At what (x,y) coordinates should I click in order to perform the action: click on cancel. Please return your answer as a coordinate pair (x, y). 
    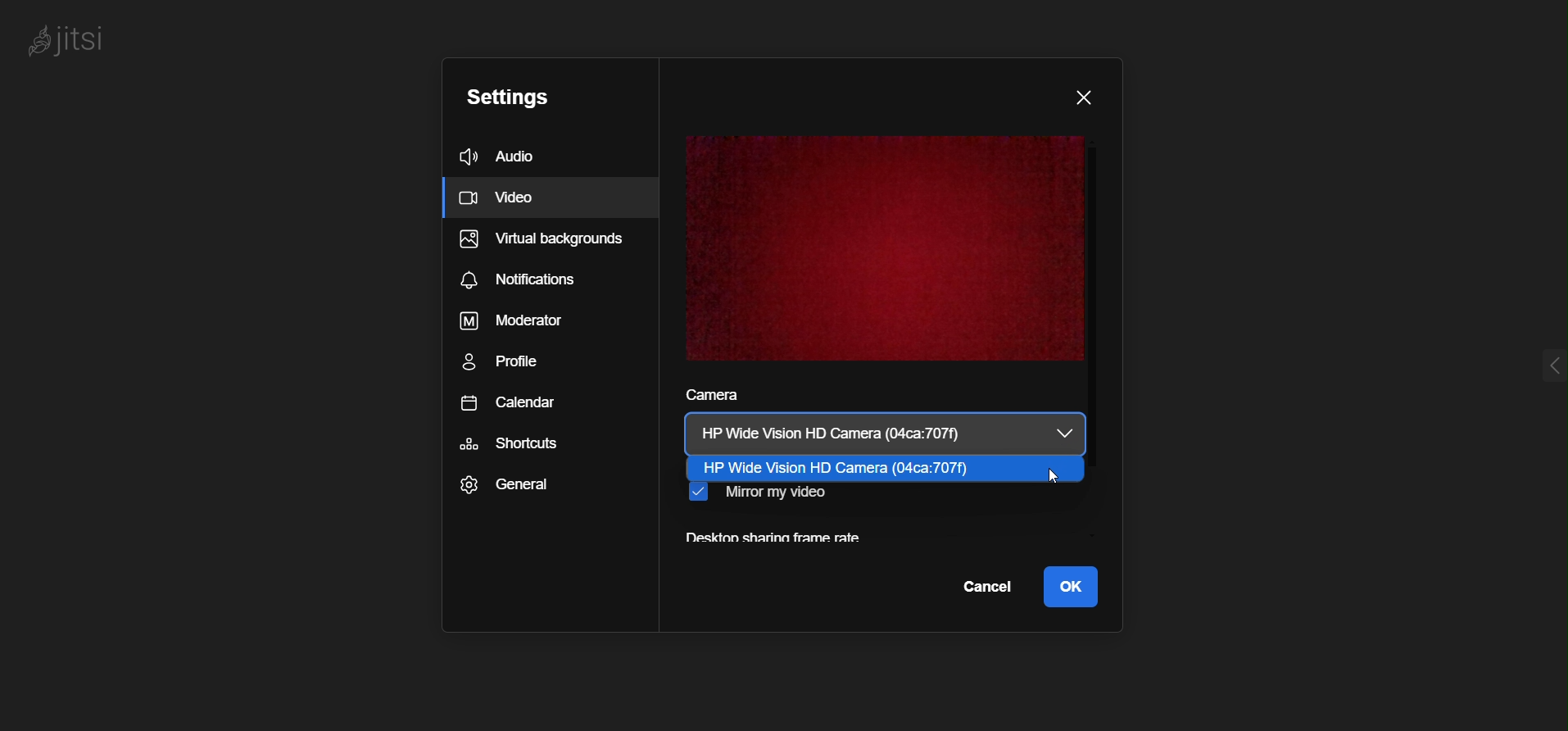
    Looking at the image, I should click on (986, 588).